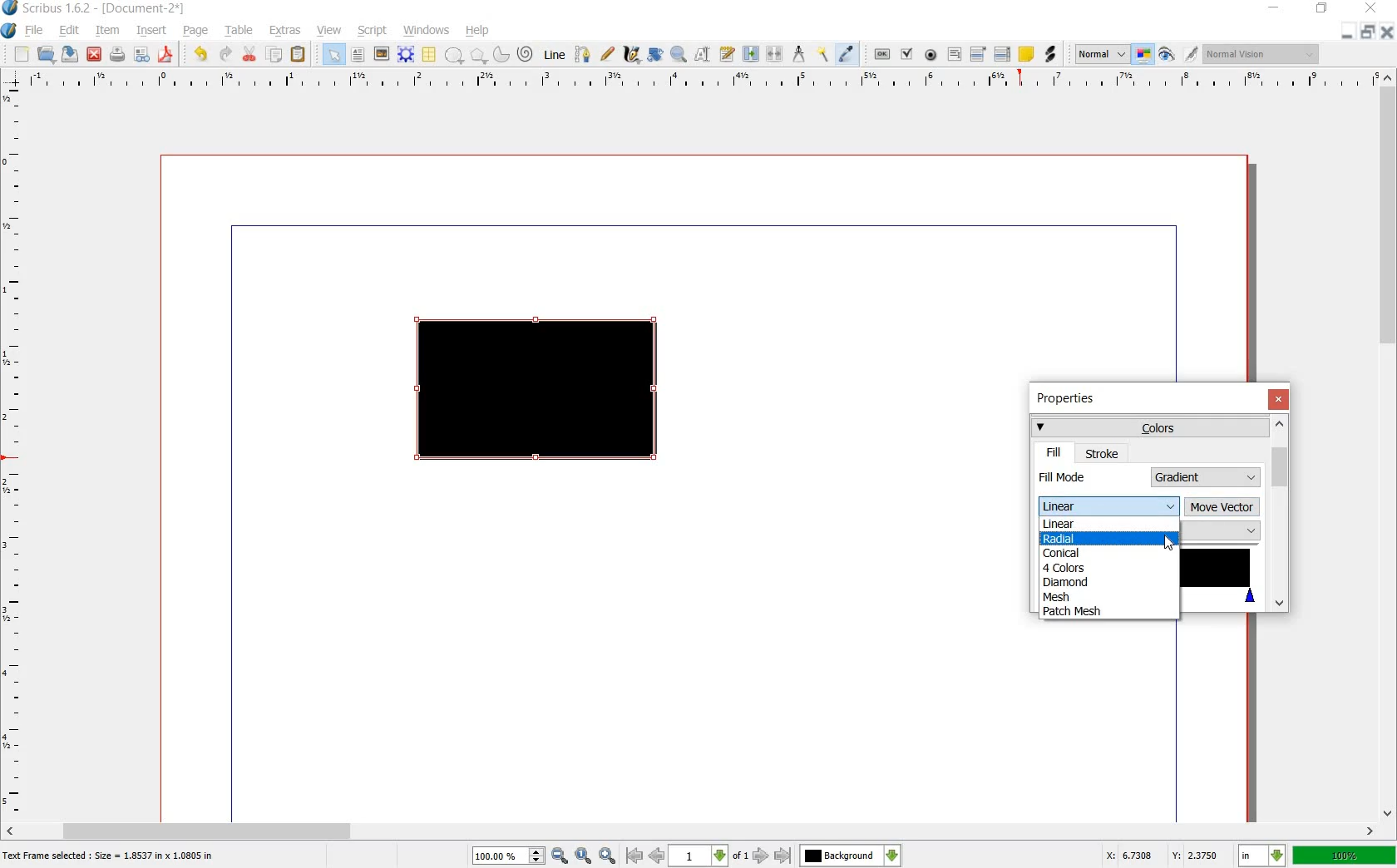 The image size is (1397, 868). Describe the element at coordinates (478, 31) in the screenshot. I see `help` at that location.